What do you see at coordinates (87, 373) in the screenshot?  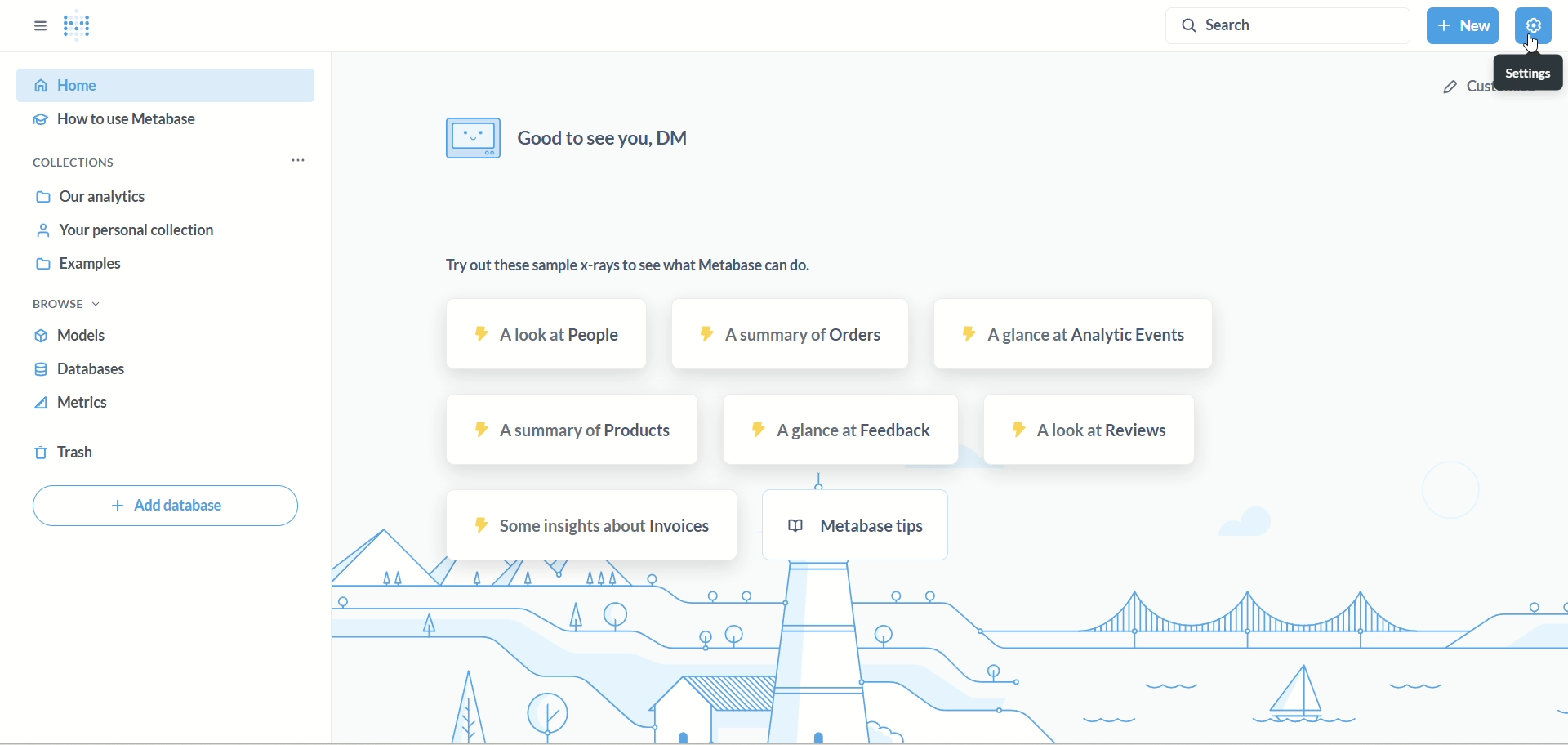 I see `databases` at bounding box center [87, 373].